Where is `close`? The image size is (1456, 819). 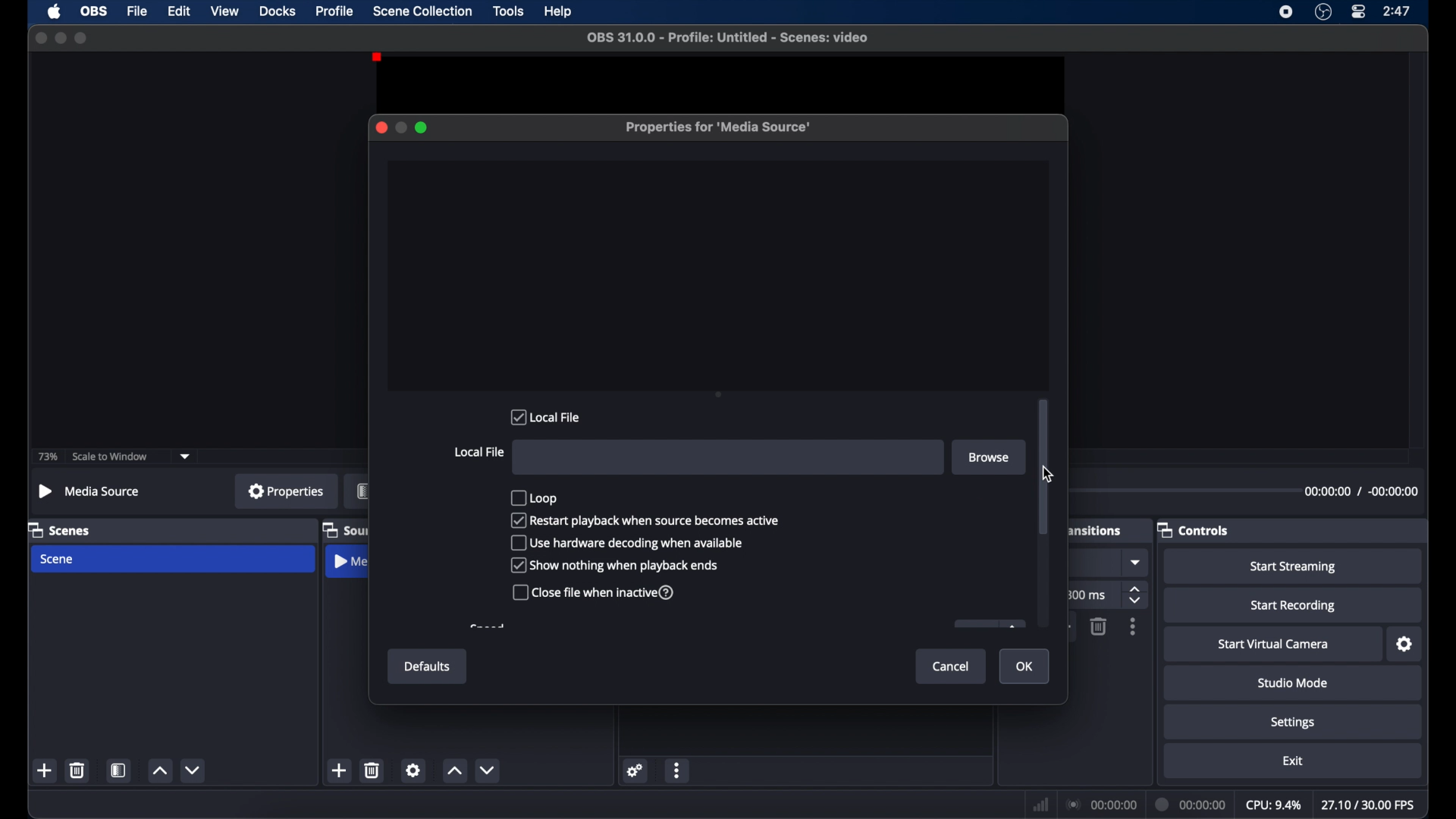
close is located at coordinates (381, 127).